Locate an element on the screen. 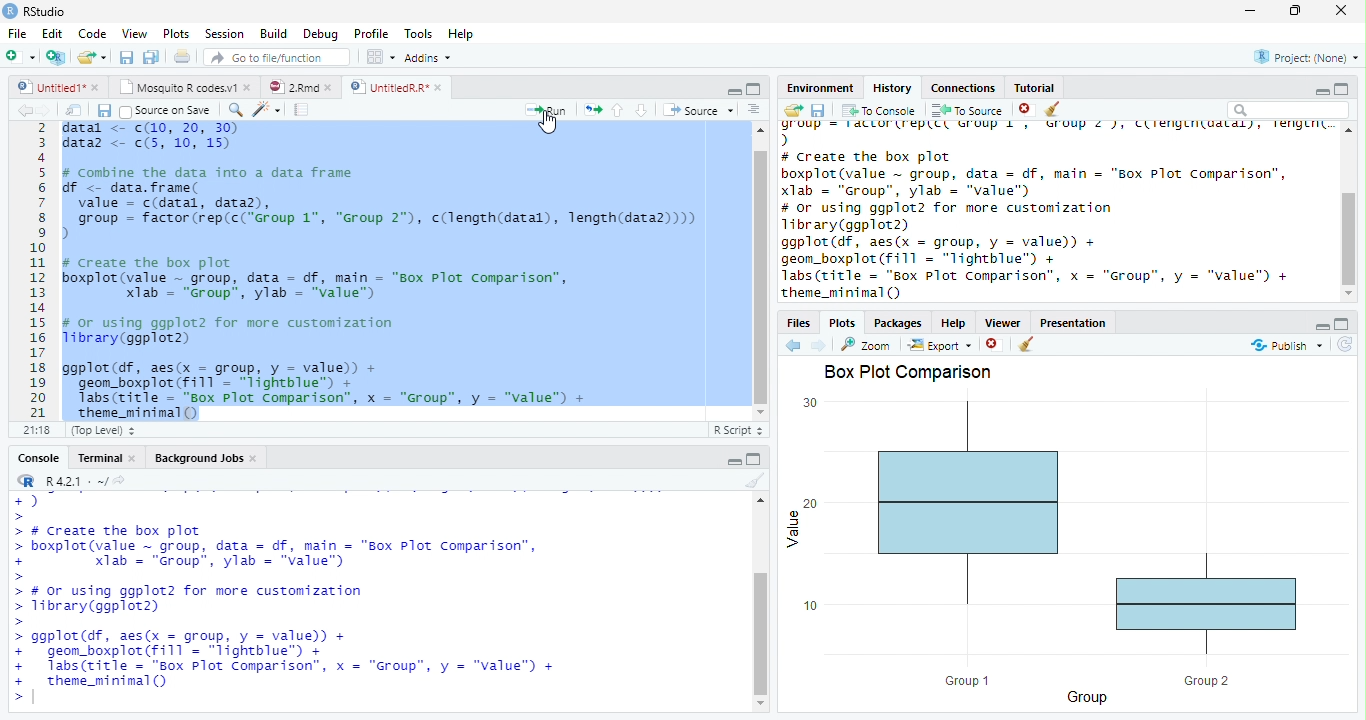 The height and width of the screenshot is (720, 1366). File is located at coordinates (17, 33).